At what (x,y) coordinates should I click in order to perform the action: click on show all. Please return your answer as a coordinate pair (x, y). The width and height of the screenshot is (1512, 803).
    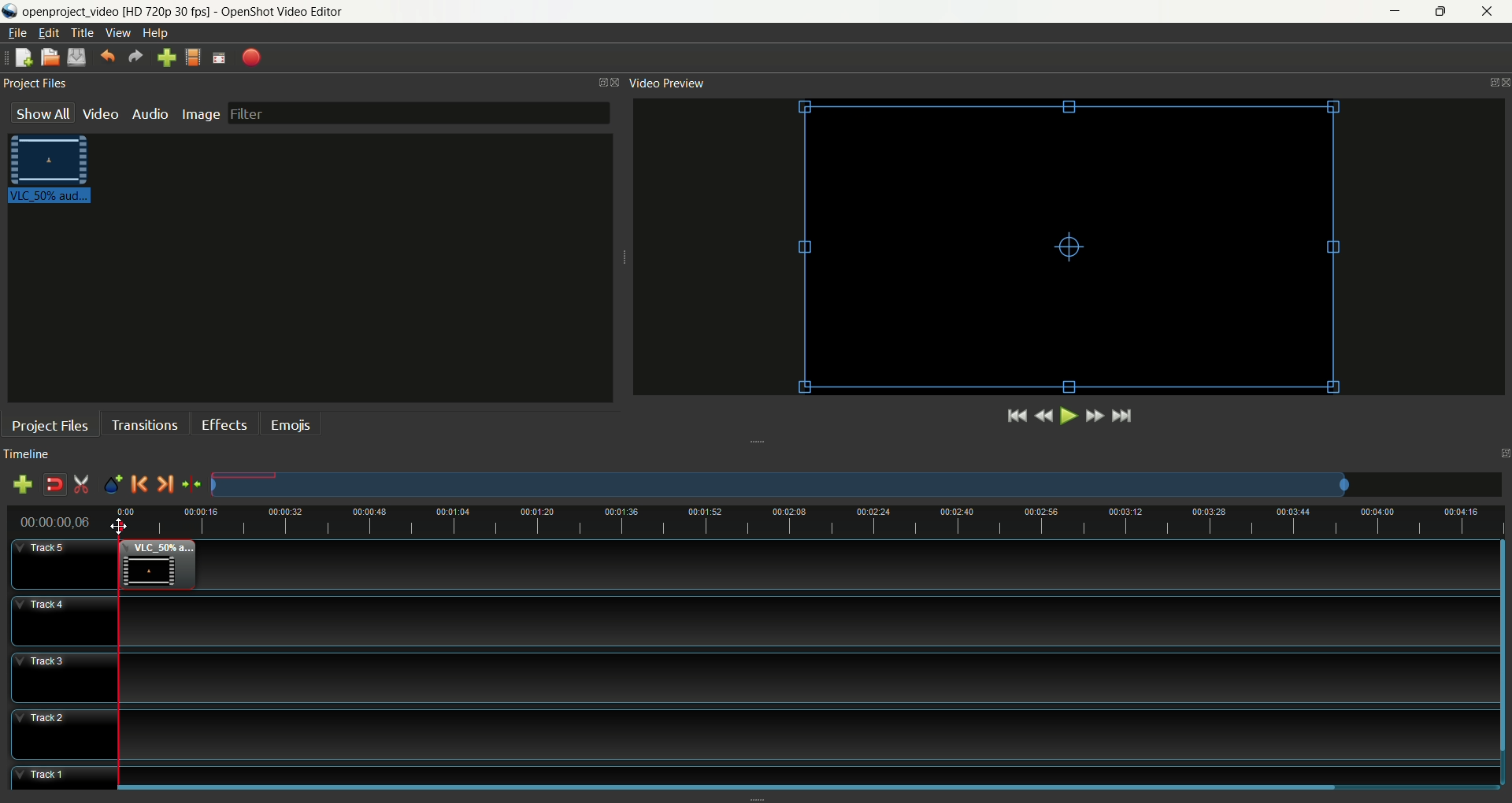
    Looking at the image, I should click on (42, 113).